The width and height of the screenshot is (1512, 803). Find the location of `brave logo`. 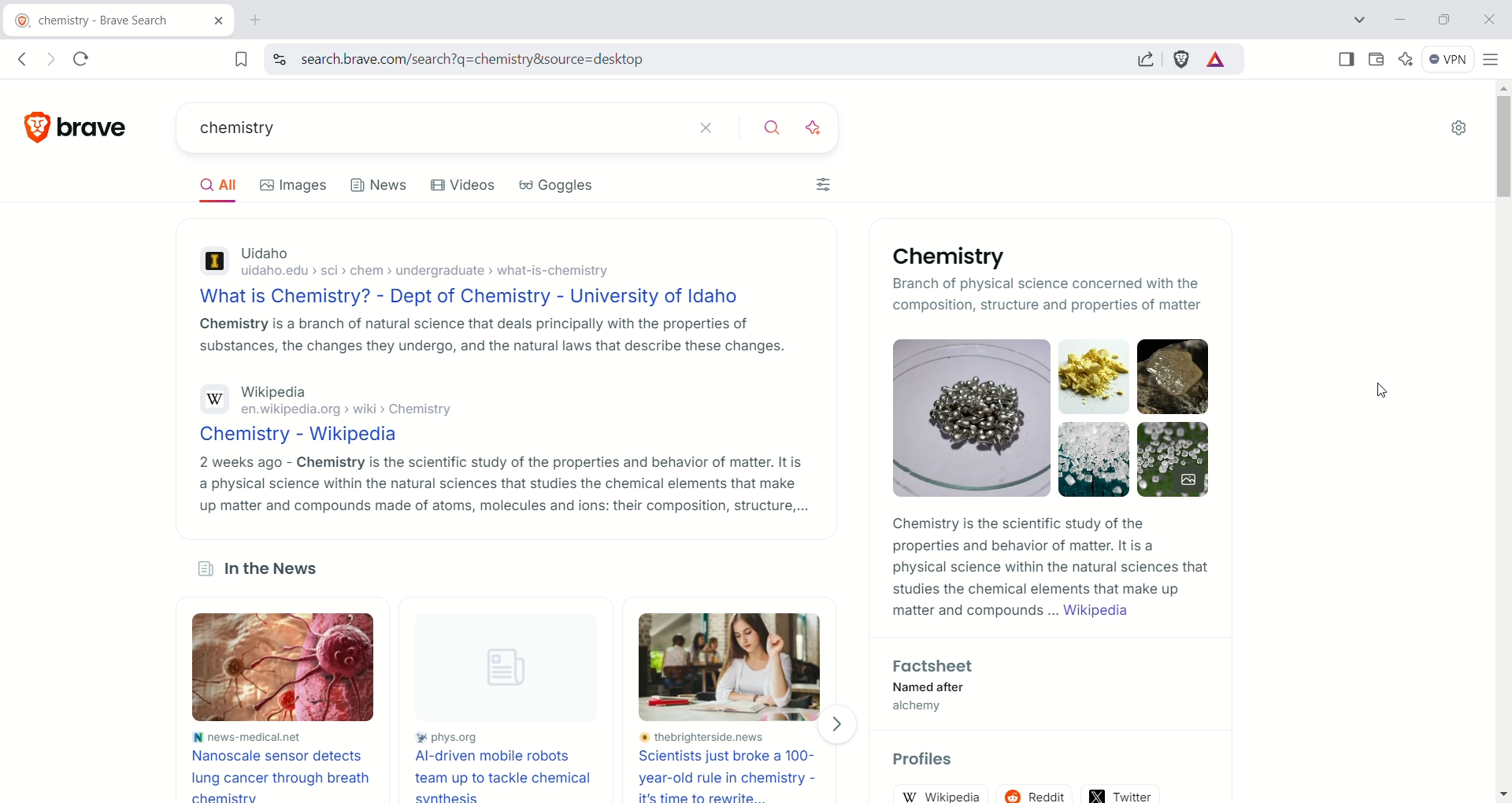

brave logo is located at coordinates (39, 124).